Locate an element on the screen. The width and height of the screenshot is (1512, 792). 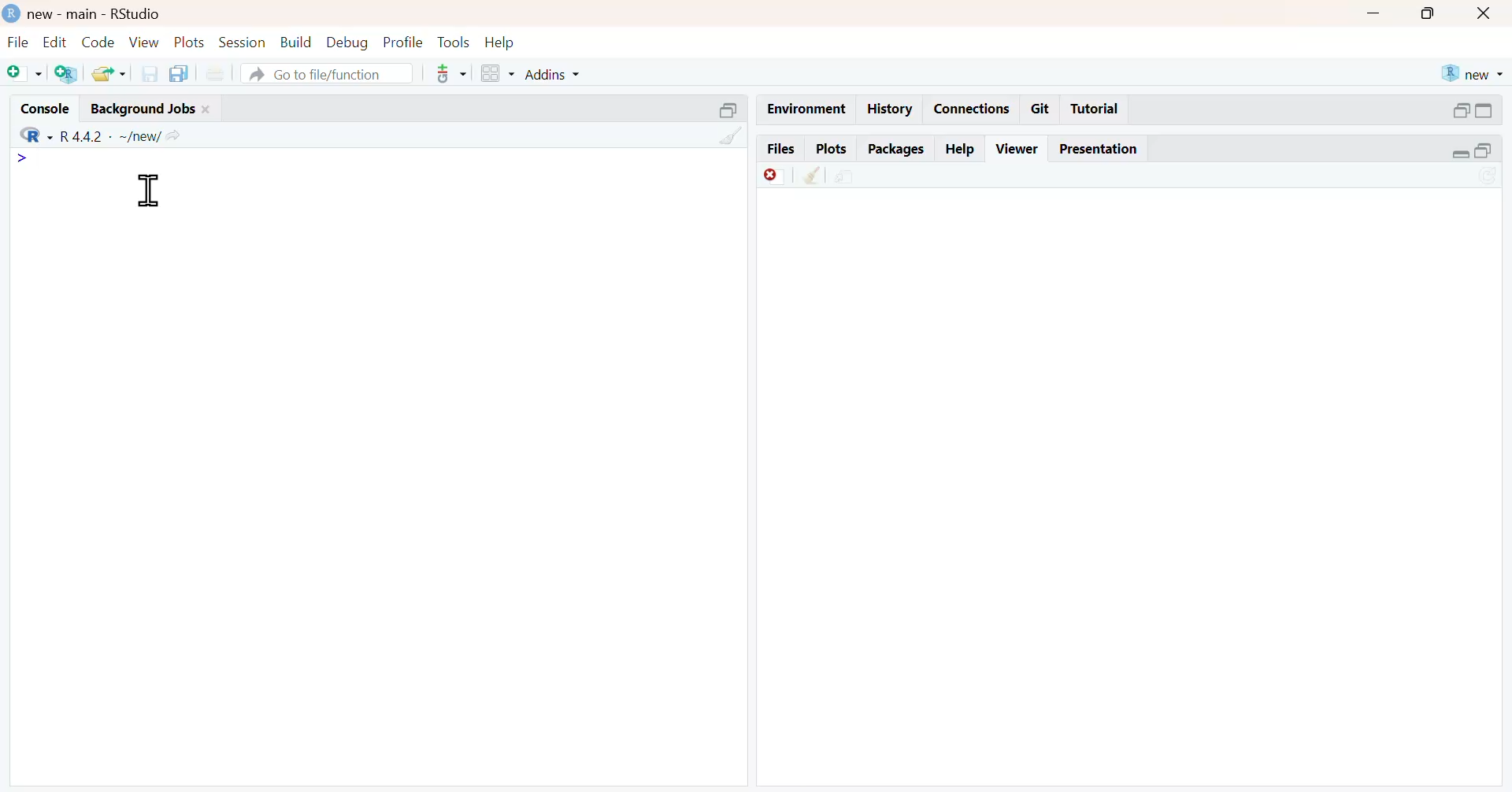
logo is located at coordinates (9, 12).